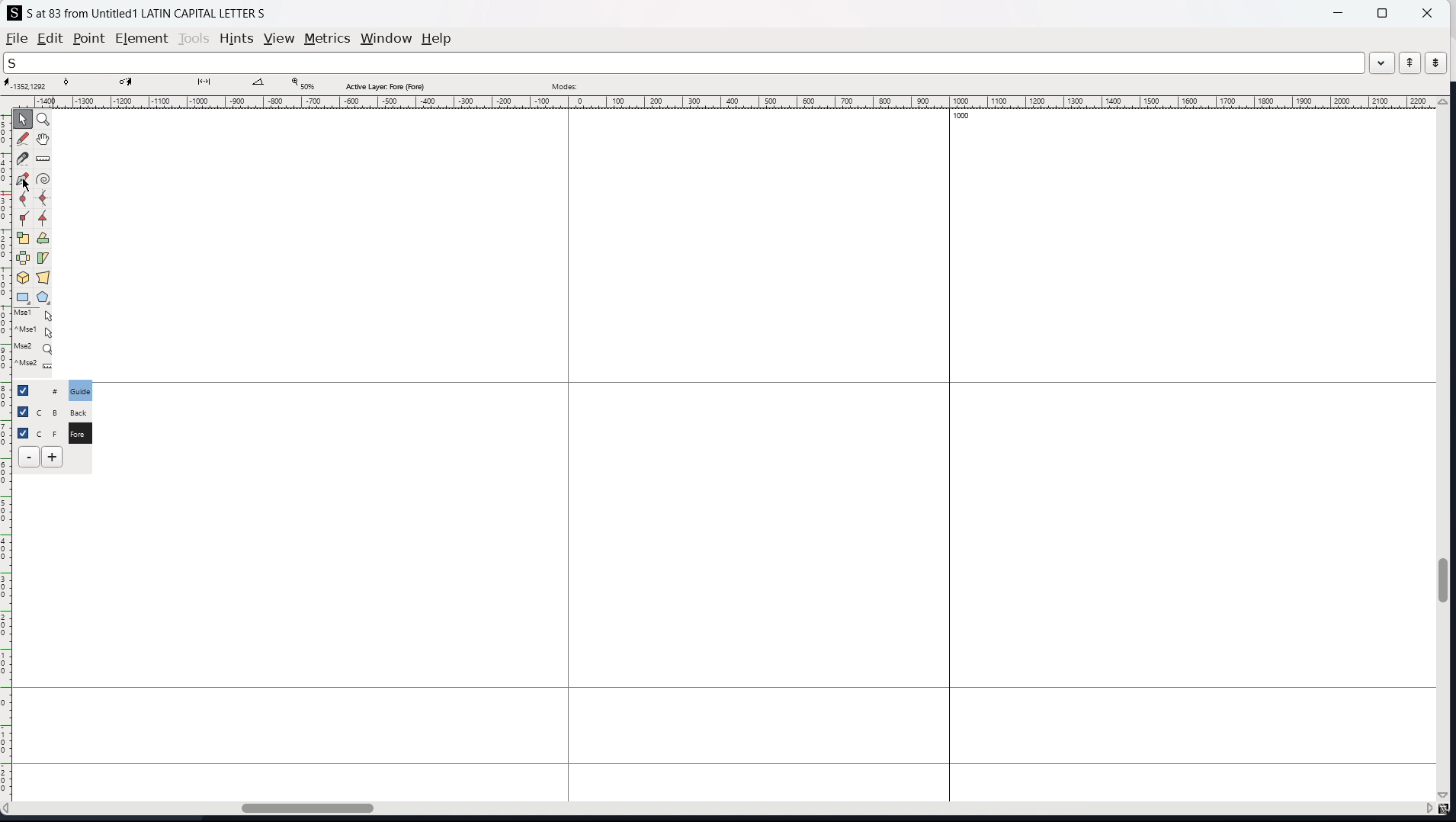 The height and width of the screenshot is (822, 1456). I want to click on add a tangent point, so click(43, 219).